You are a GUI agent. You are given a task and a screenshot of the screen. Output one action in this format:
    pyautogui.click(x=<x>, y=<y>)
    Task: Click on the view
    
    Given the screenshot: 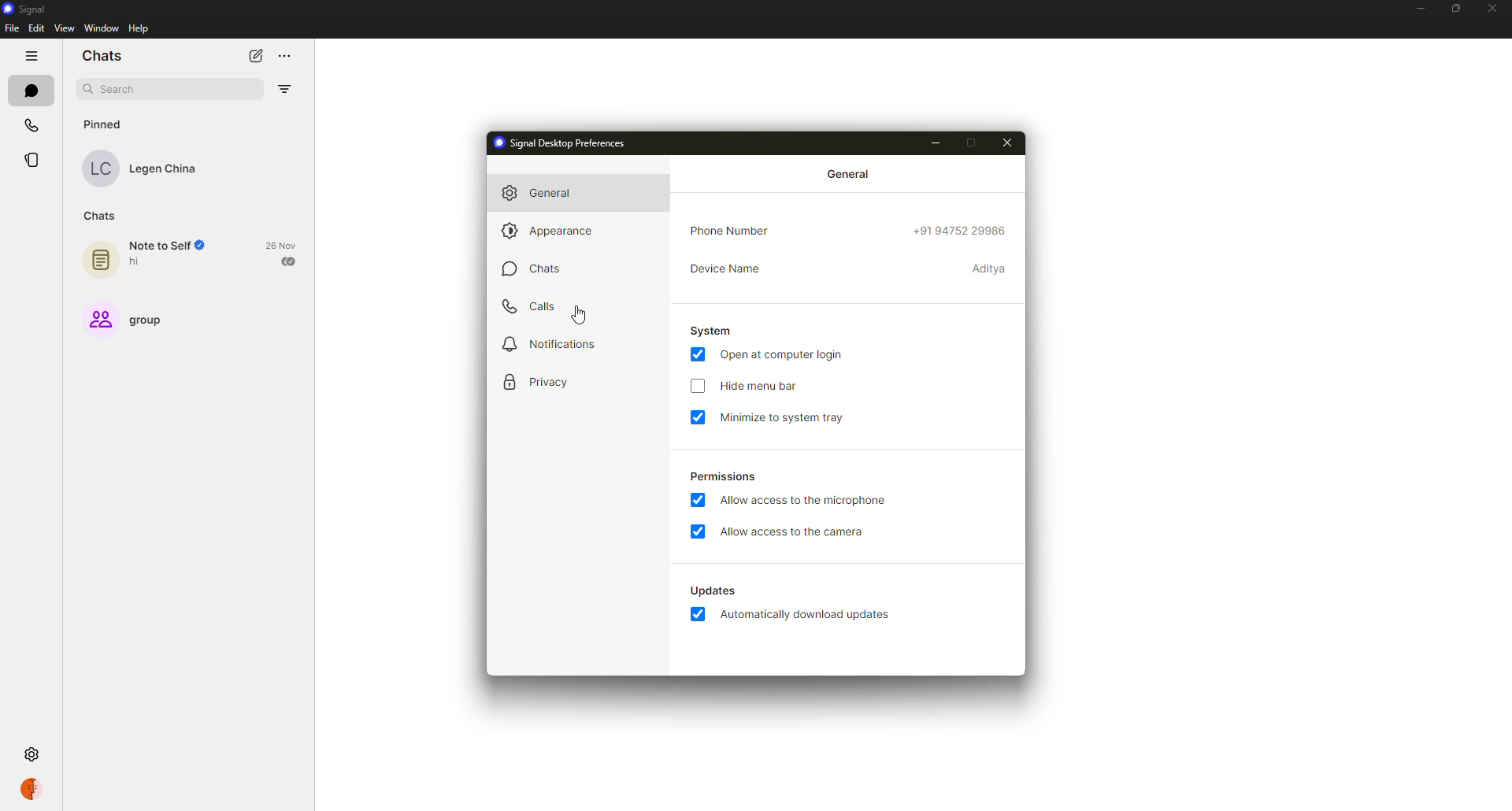 What is the action you would take?
    pyautogui.click(x=67, y=29)
    